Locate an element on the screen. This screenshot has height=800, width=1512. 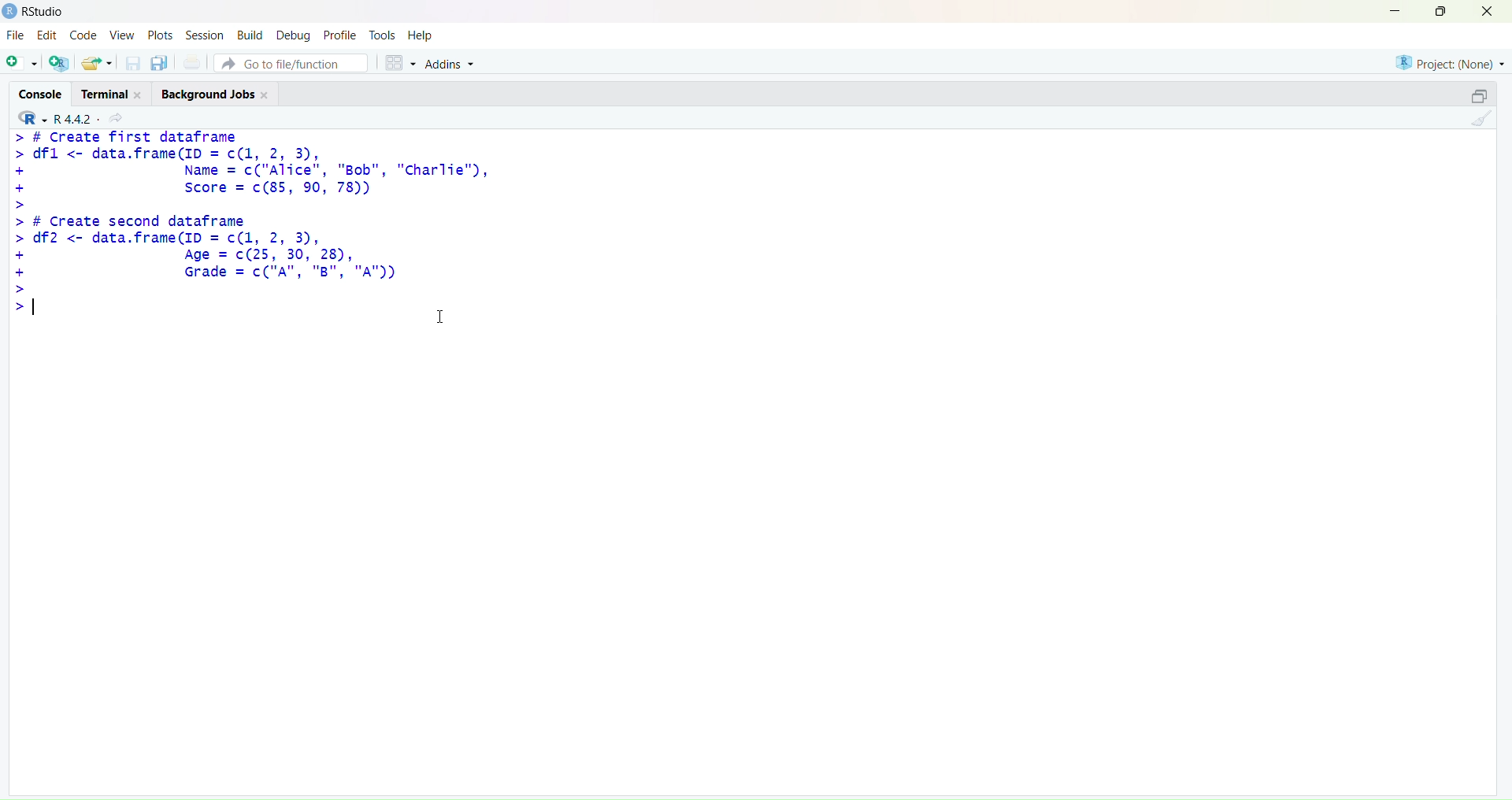
maximize is located at coordinates (1441, 9).